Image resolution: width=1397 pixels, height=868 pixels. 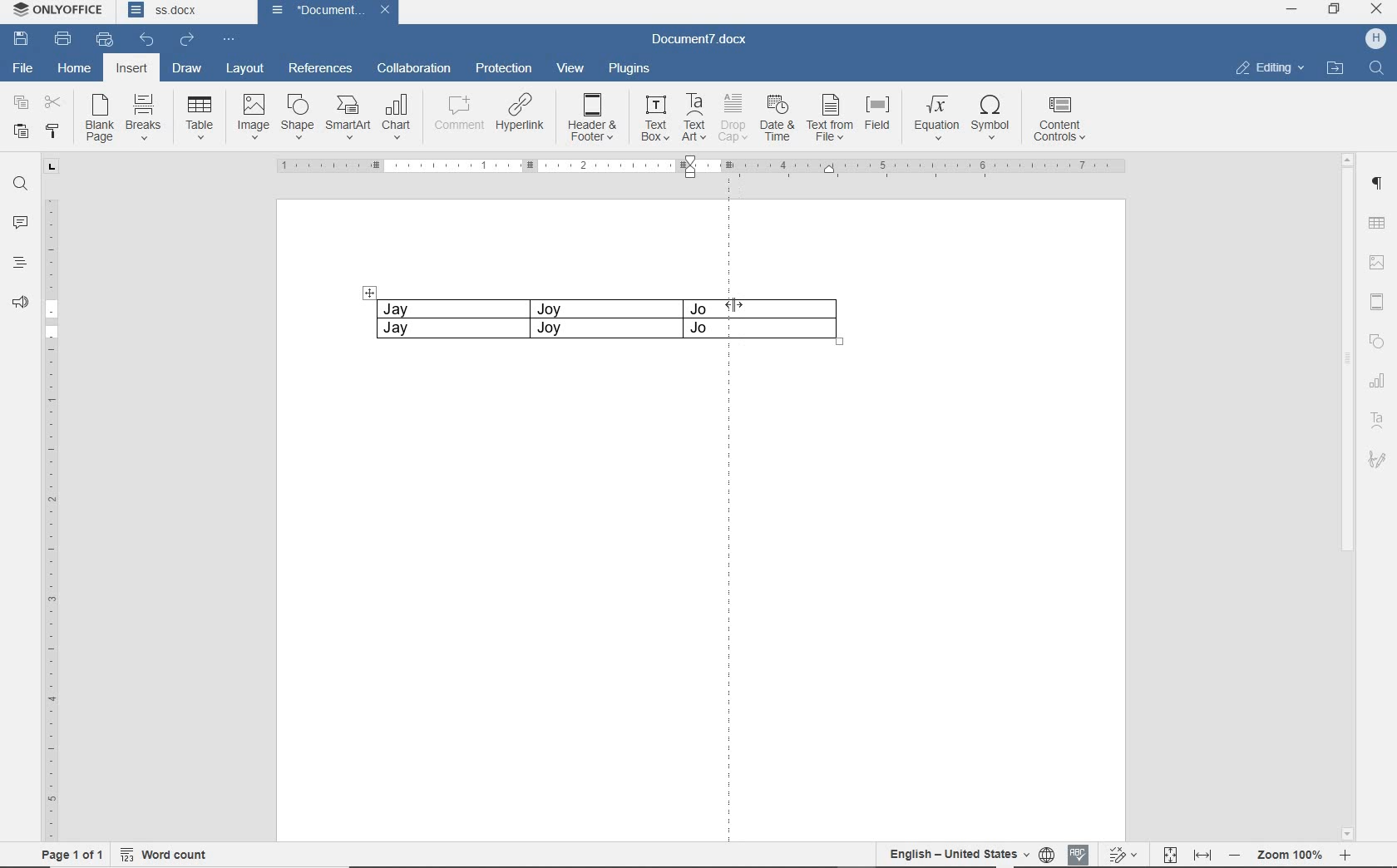 What do you see at coordinates (20, 186) in the screenshot?
I see `FIND` at bounding box center [20, 186].